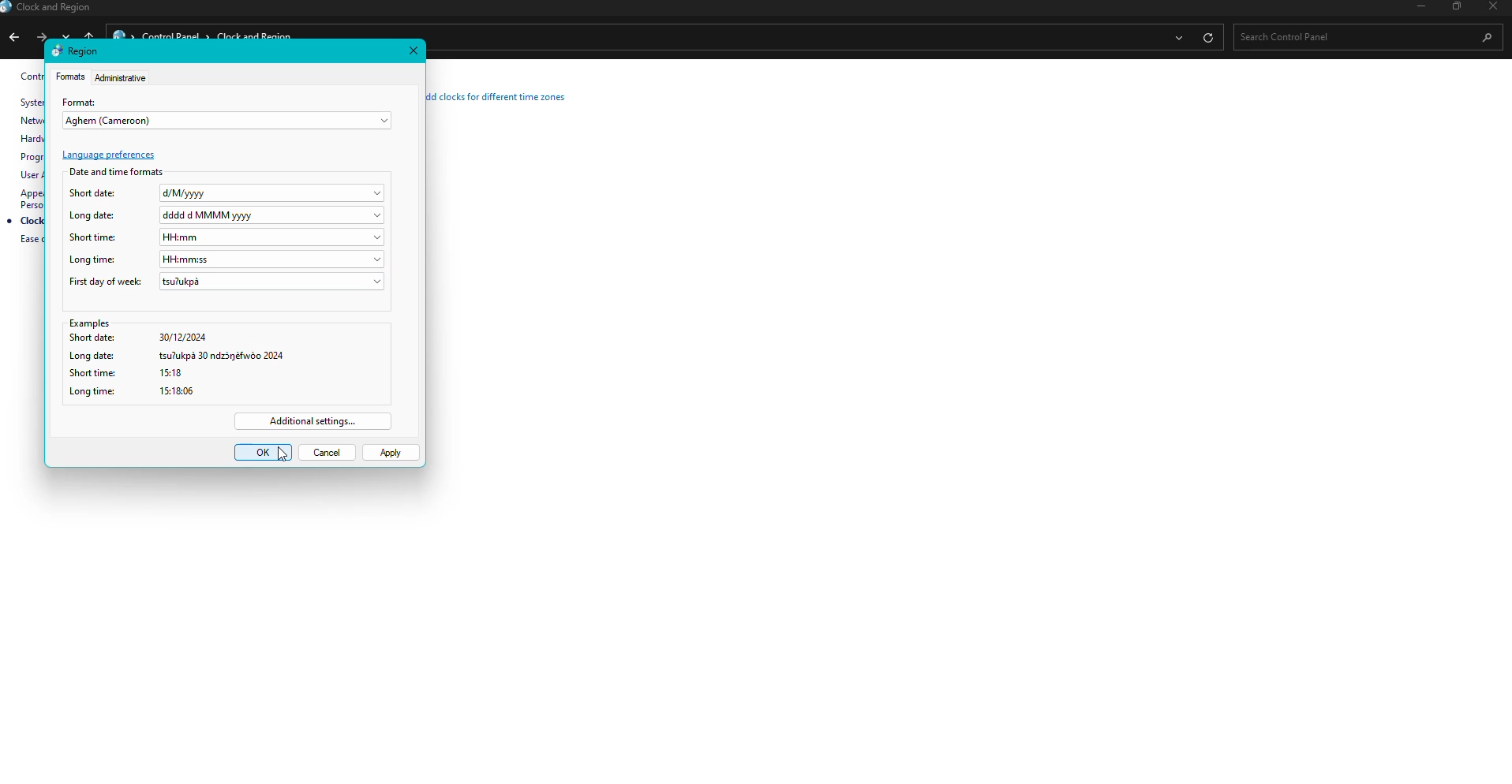 The width and height of the screenshot is (1512, 784). Describe the element at coordinates (229, 122) in the screenshot. I see `Aghem` at that location.